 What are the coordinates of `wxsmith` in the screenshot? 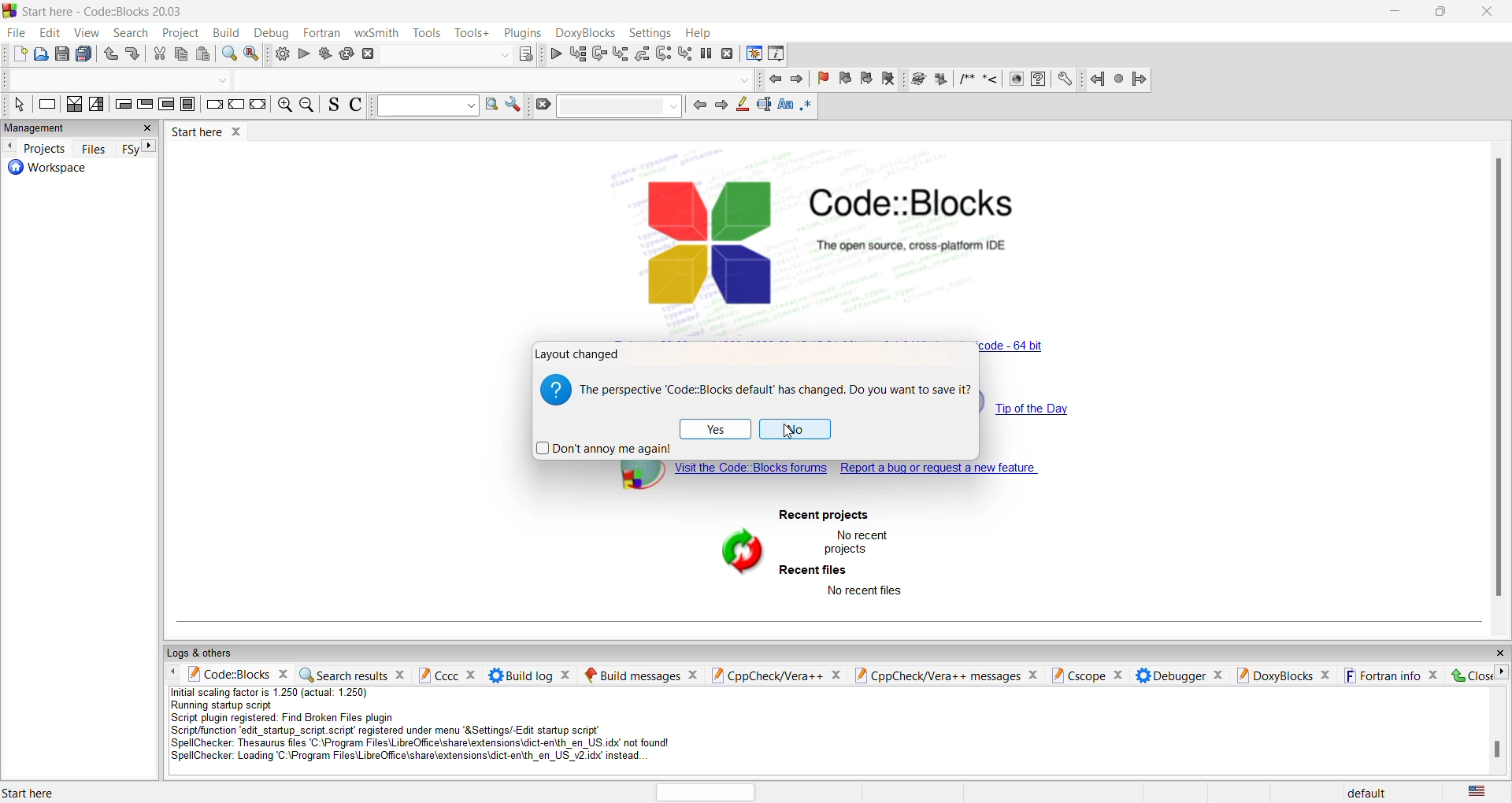 It's located at (376, 31).